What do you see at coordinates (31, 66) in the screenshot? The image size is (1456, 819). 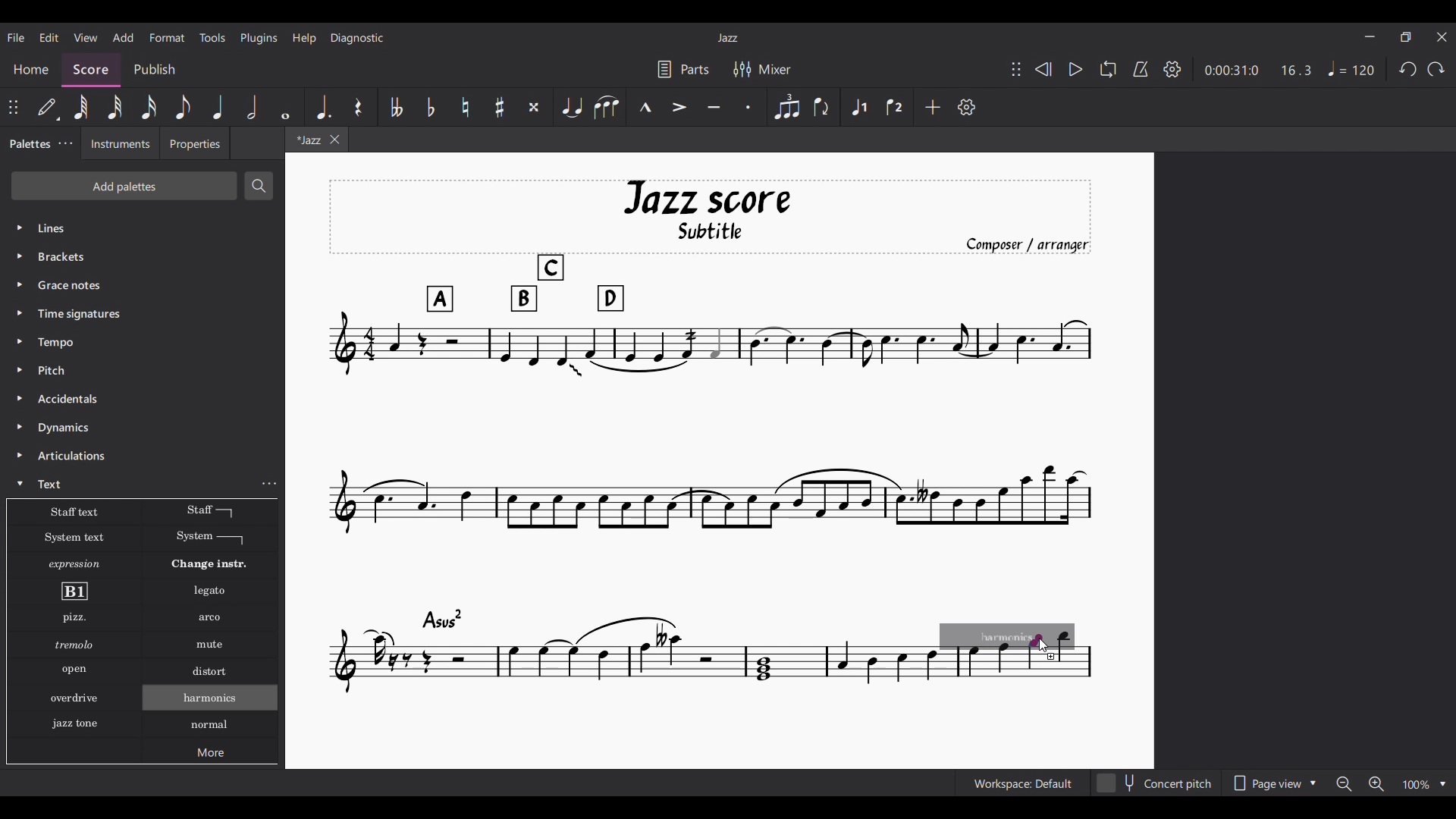 I see `Home section` at bounding box center [31, 66].